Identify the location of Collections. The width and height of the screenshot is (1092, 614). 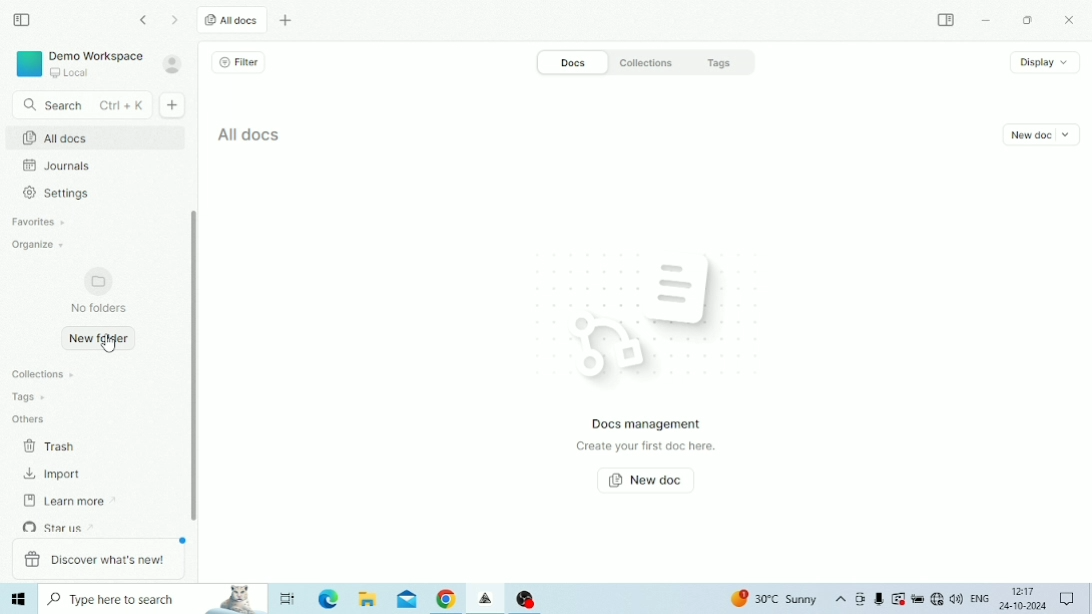
(43, 375).